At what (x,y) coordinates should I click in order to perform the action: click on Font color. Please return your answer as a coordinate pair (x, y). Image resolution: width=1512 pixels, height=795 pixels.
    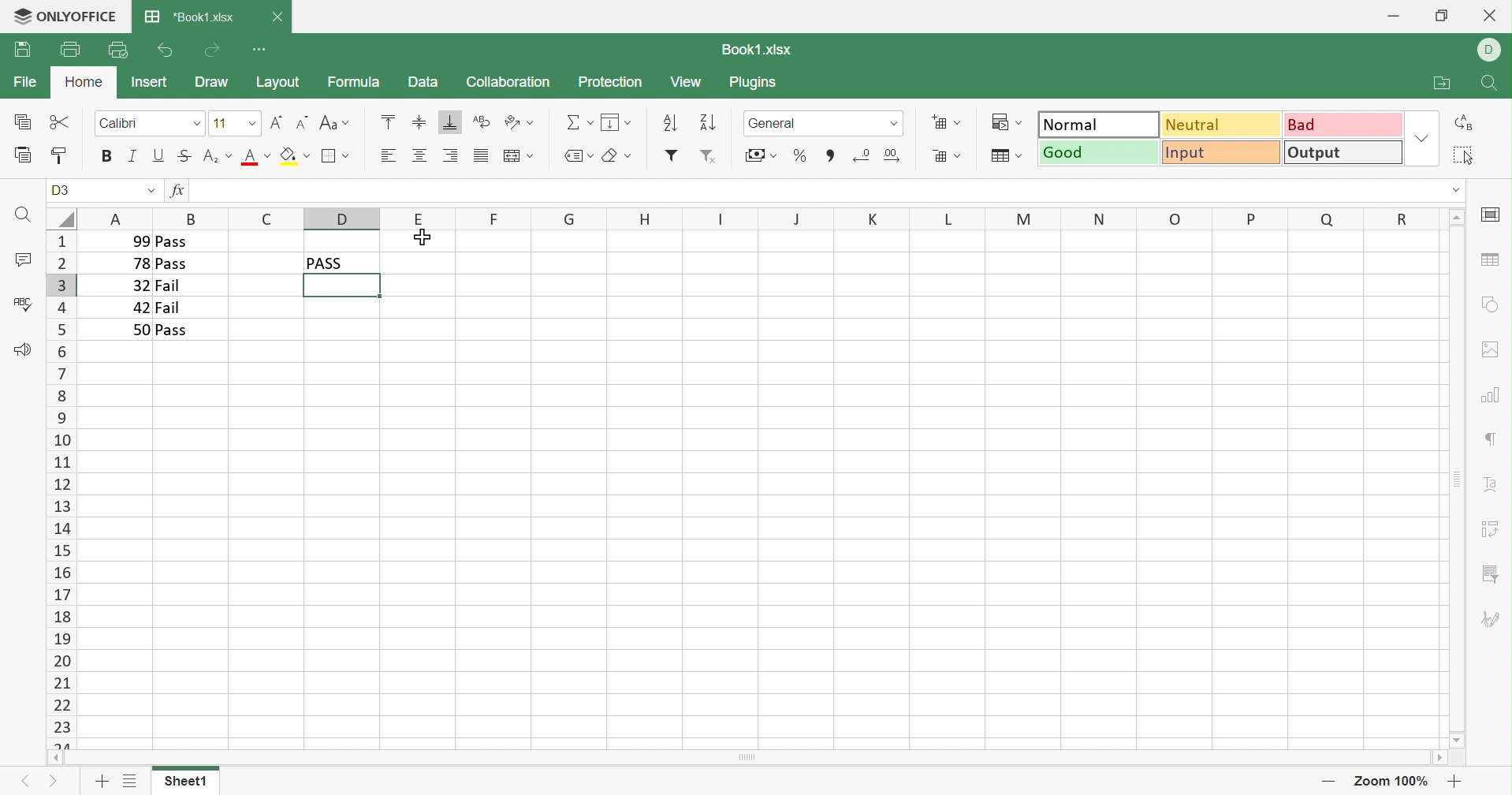
    Looking at the image, I should click on (255, 155).